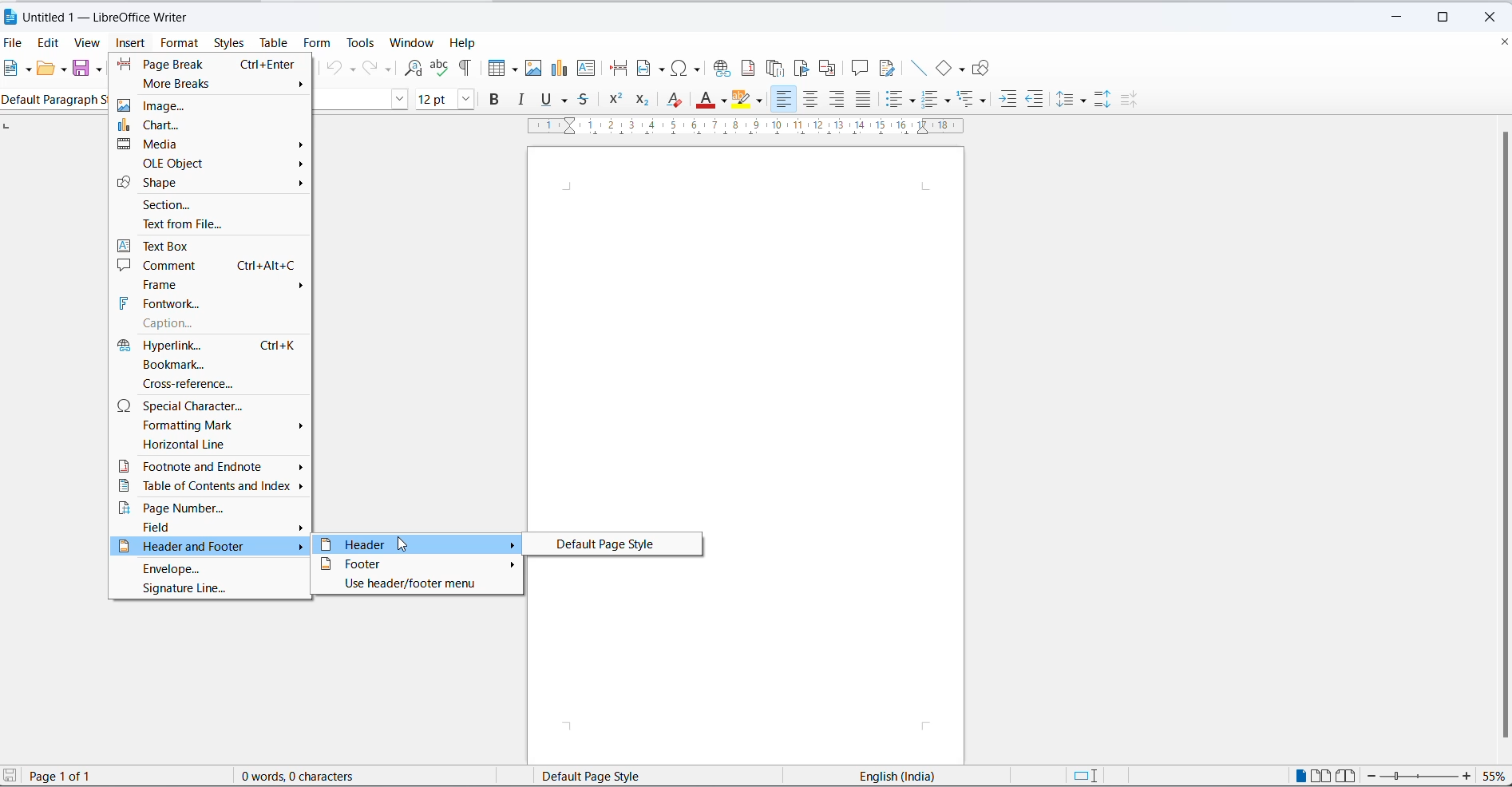  Describe the element at coordinates (209, 592) in the screenshot. I see `signature line` at that location.